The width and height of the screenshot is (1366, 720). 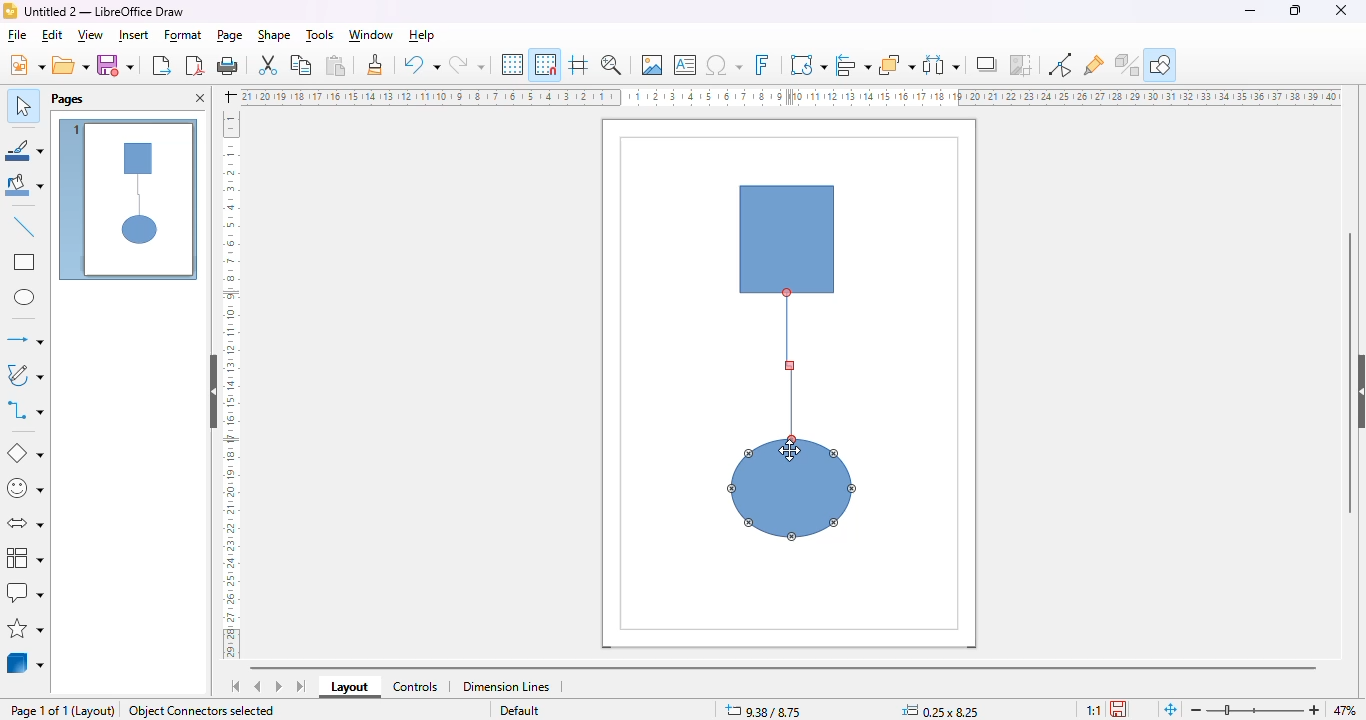 What do you see at coordinates (941, 710) in the screenshot?
I see `0.25 x 8.25` at bounding box center [941, 710].